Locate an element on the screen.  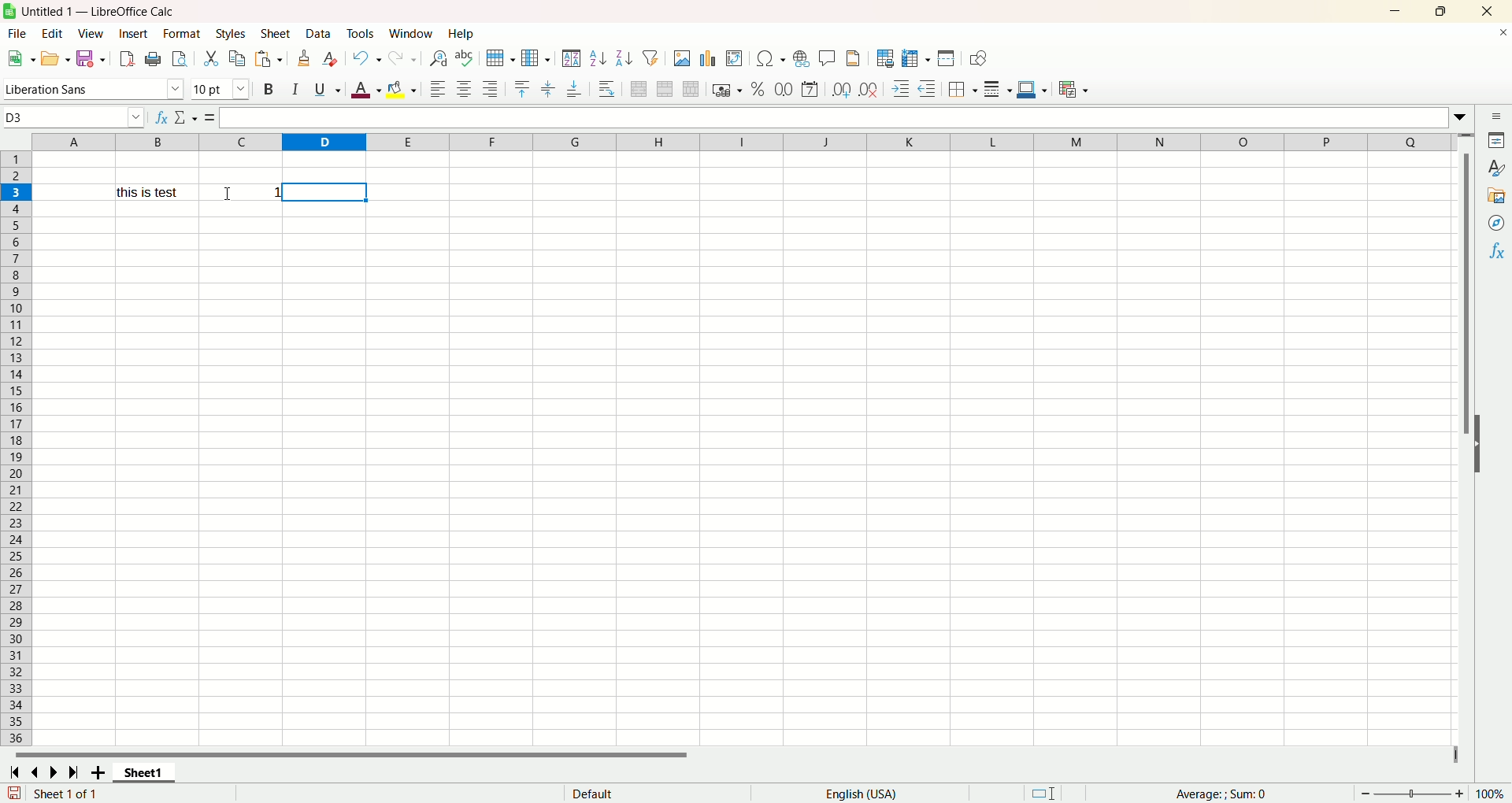
functions is located at coordinates (1496, 250).